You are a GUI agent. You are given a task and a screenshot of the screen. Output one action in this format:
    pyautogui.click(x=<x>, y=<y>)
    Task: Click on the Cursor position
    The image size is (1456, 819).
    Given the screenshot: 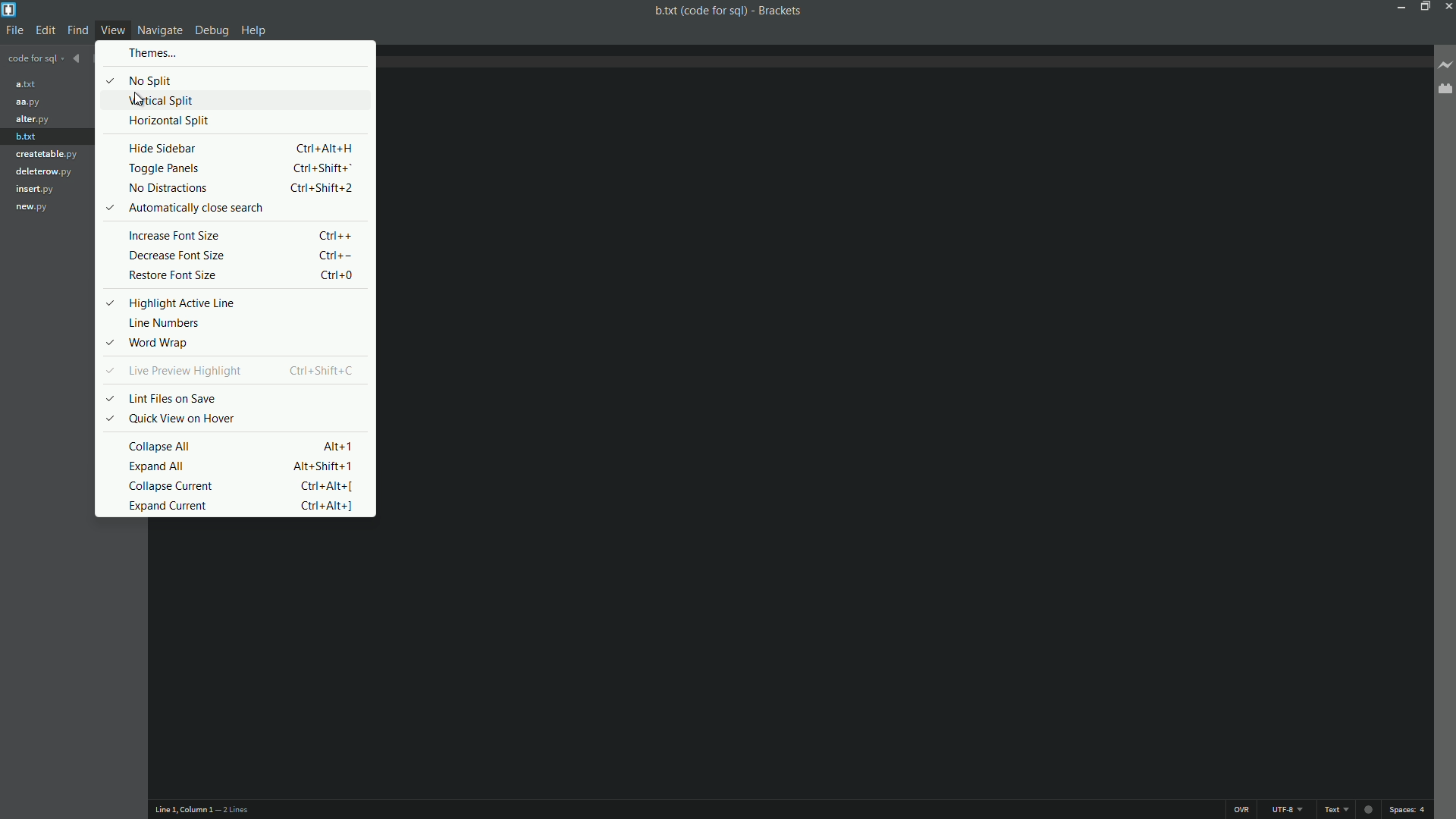 What is the action you would take?
    pyautogui.click(x=178, y=811)
    